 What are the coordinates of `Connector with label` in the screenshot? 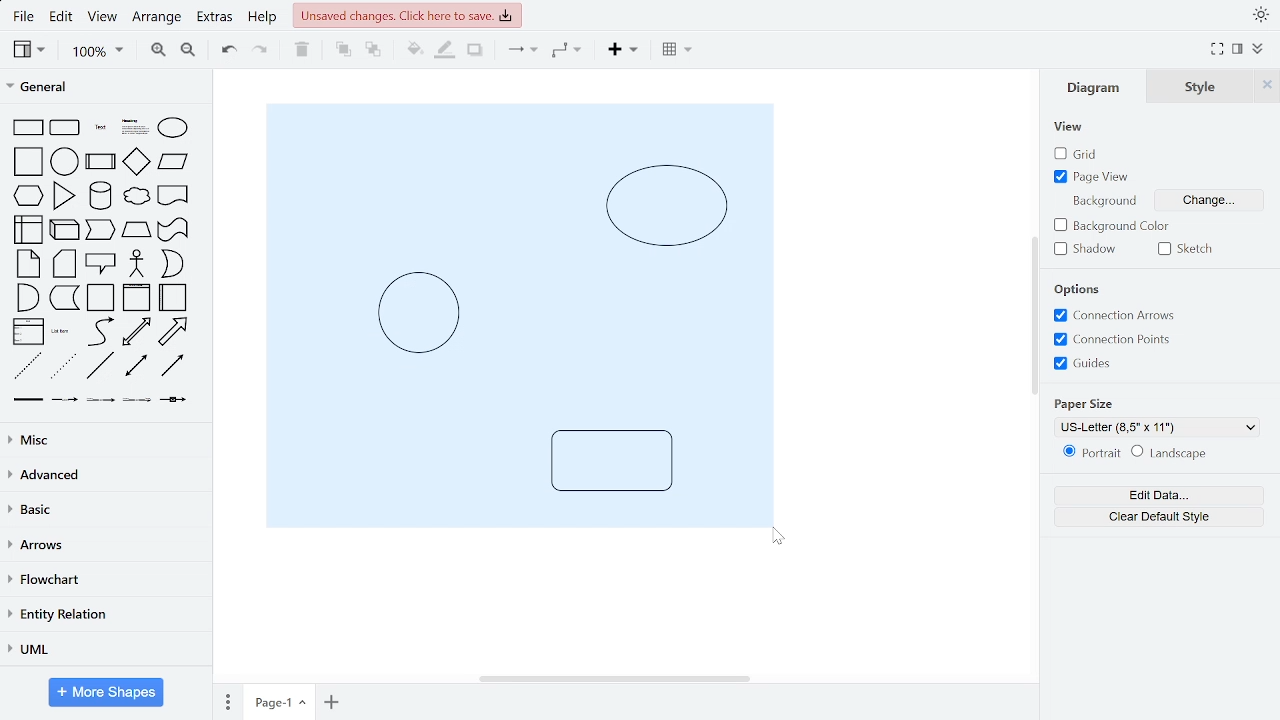 It's located at (65, 403).